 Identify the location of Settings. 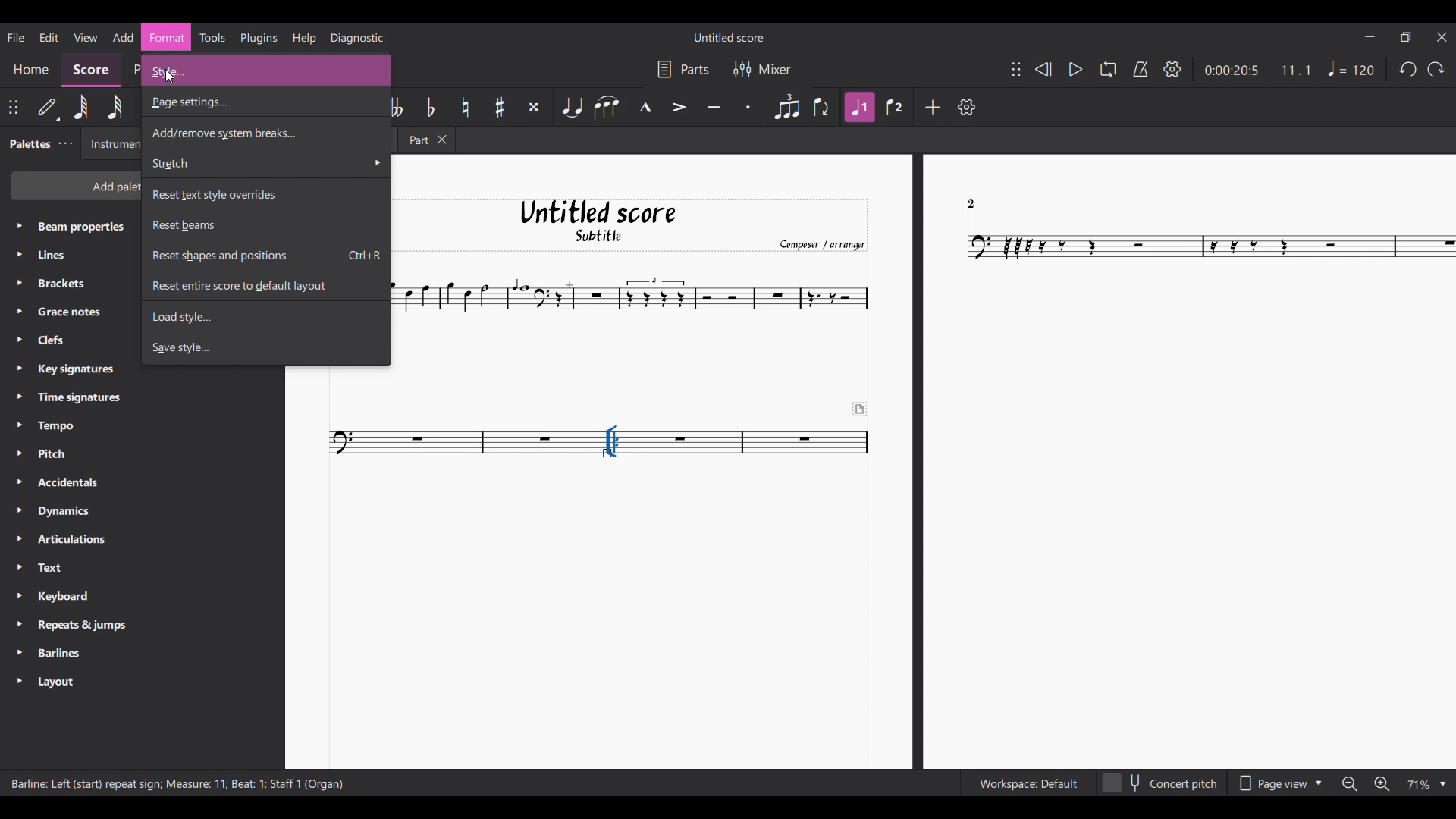
(1173, 69).